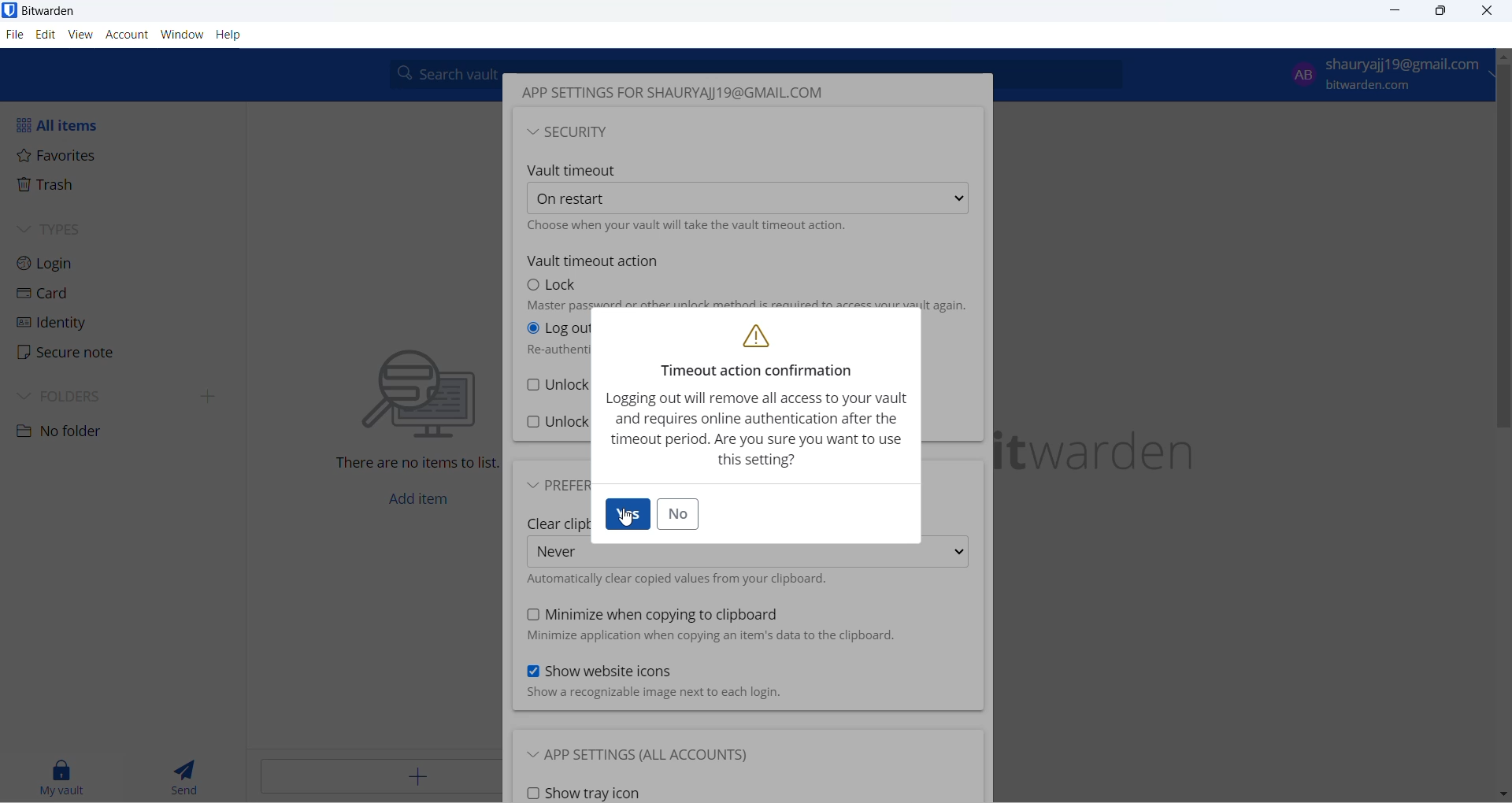 This screenshot has width=1512, height=803. What do you see at coordinates (560, 286) in the screenshot?
I see `lock options` at bounding box center [560, 286].